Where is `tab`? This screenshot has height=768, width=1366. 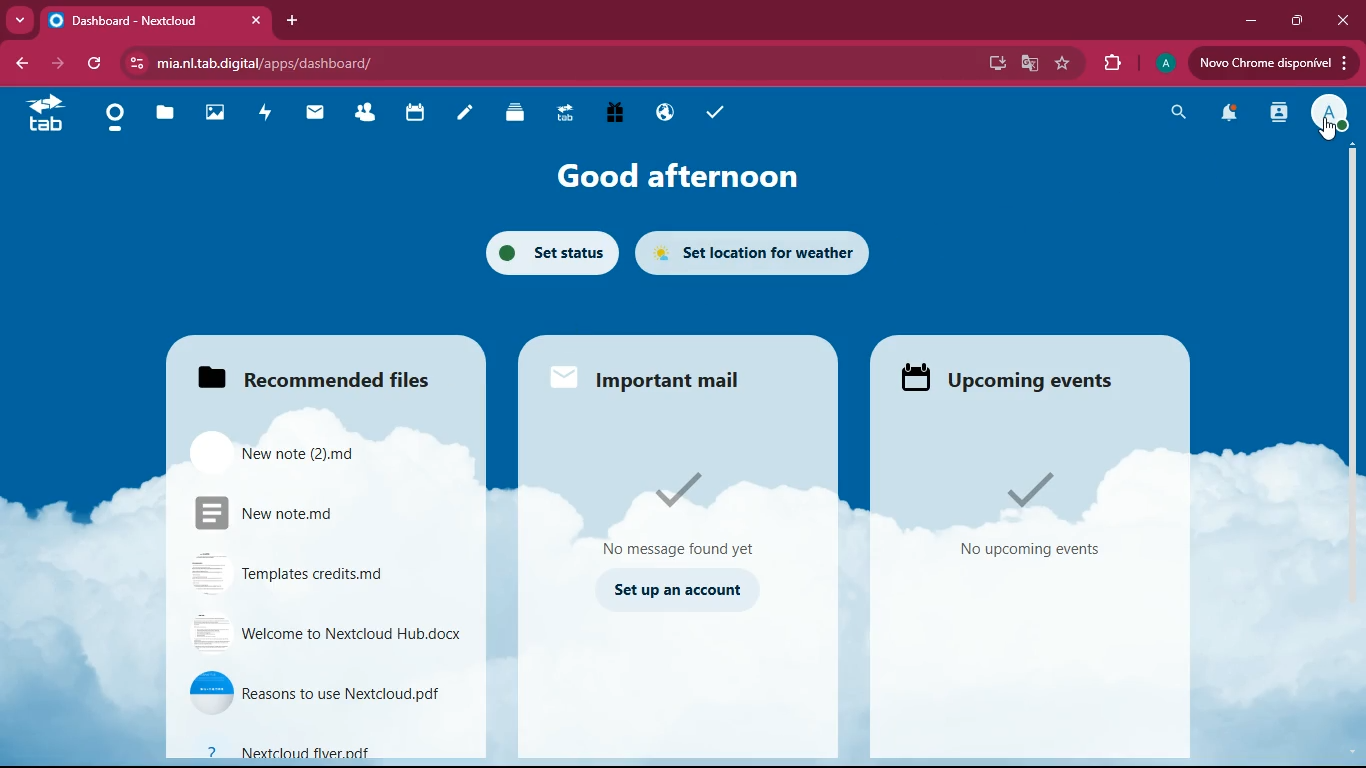 tab is located at coordinates (45, 118).